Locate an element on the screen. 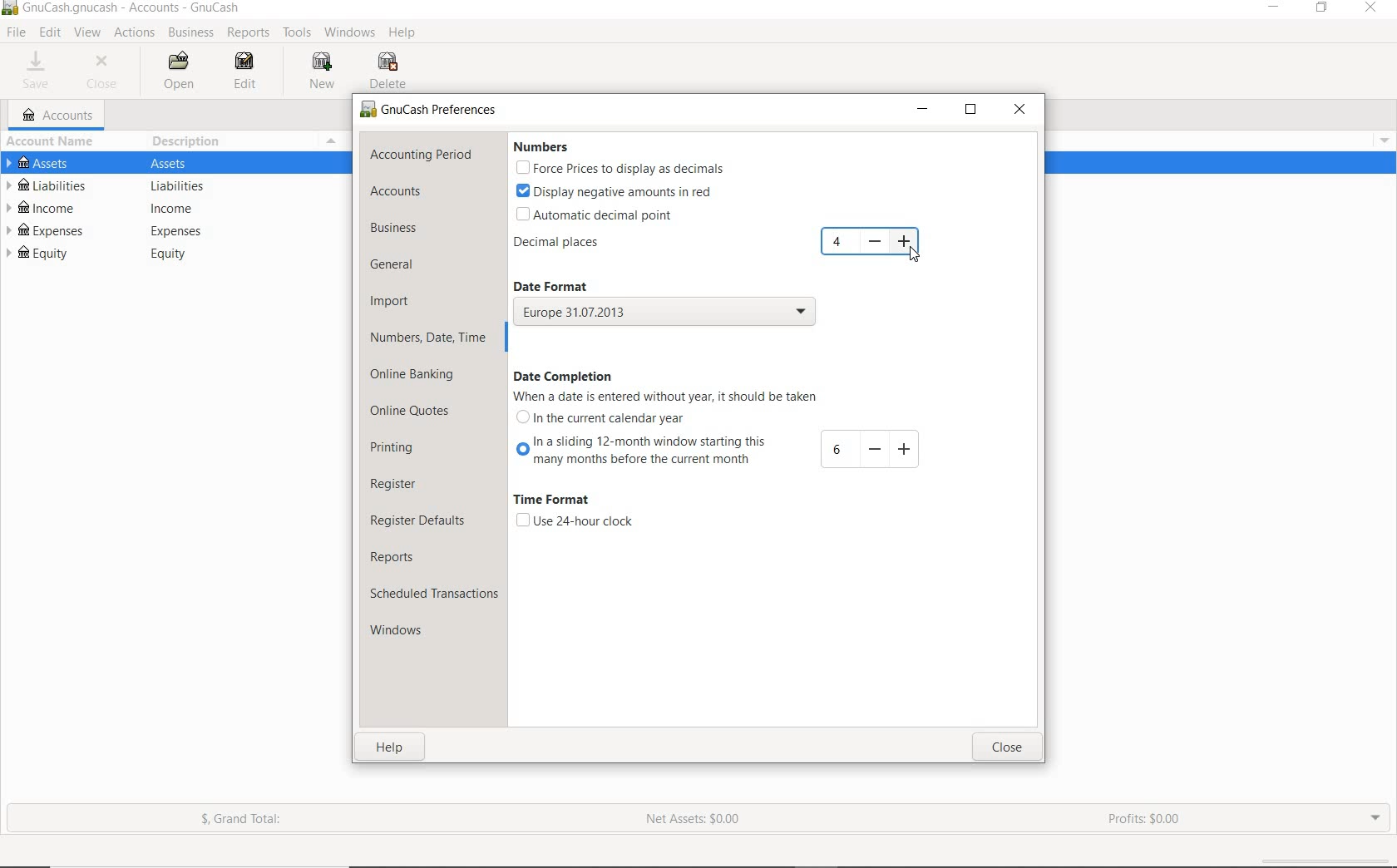 Image resolution: width=1397 pixels, height=868 pixels. cursor is located at coordinates (911, 253).